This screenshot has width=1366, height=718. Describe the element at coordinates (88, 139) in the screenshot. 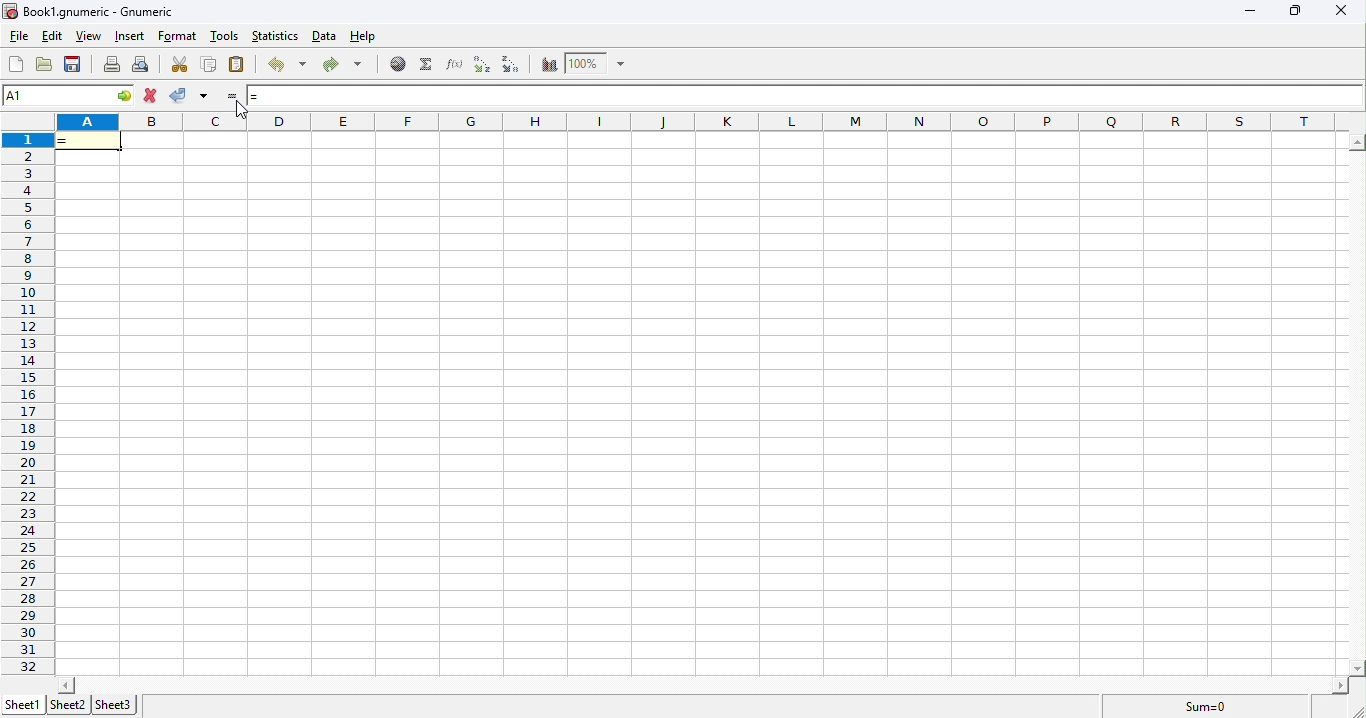

I see `= ` at that location.